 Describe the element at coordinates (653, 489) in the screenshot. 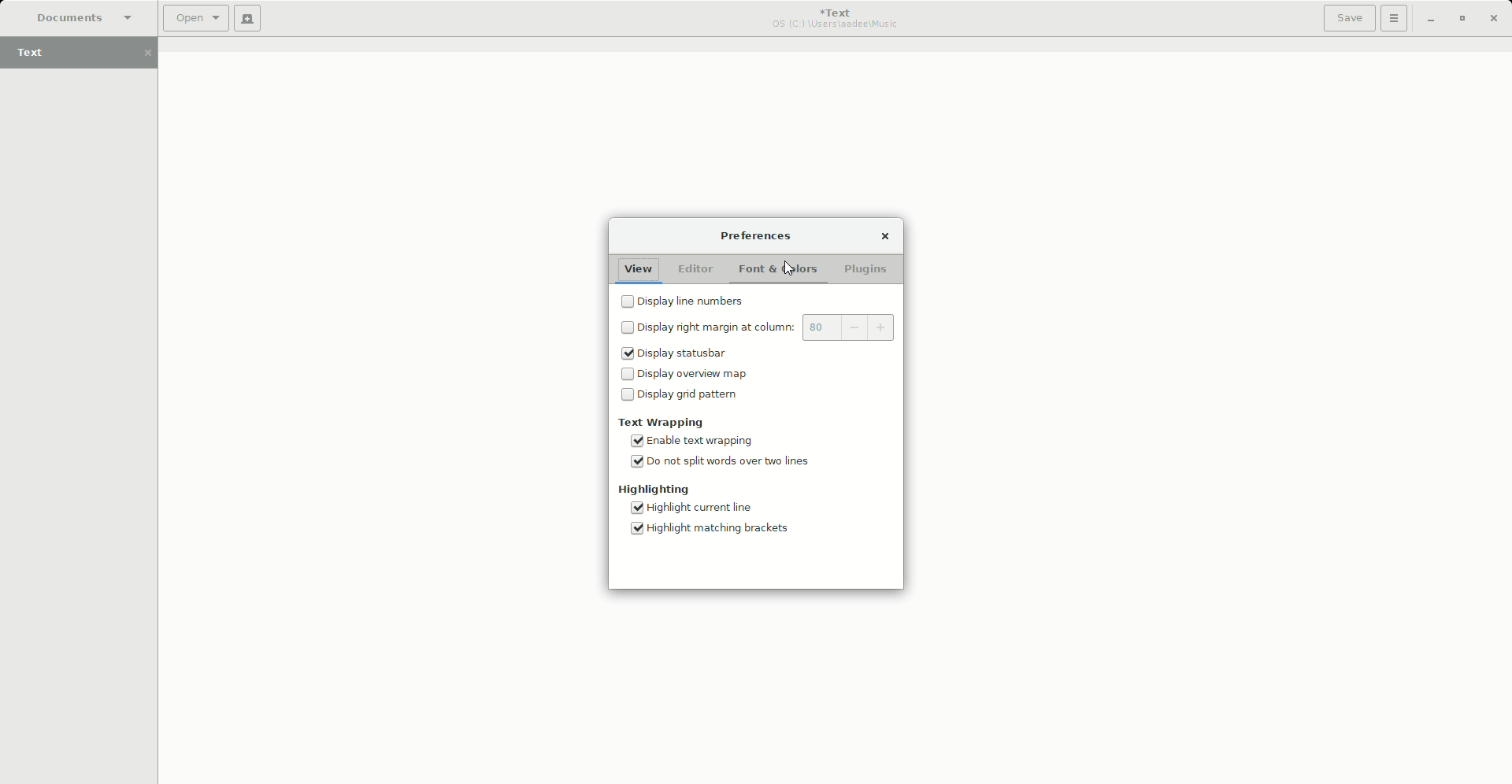

I see `Highlighting` at that location.